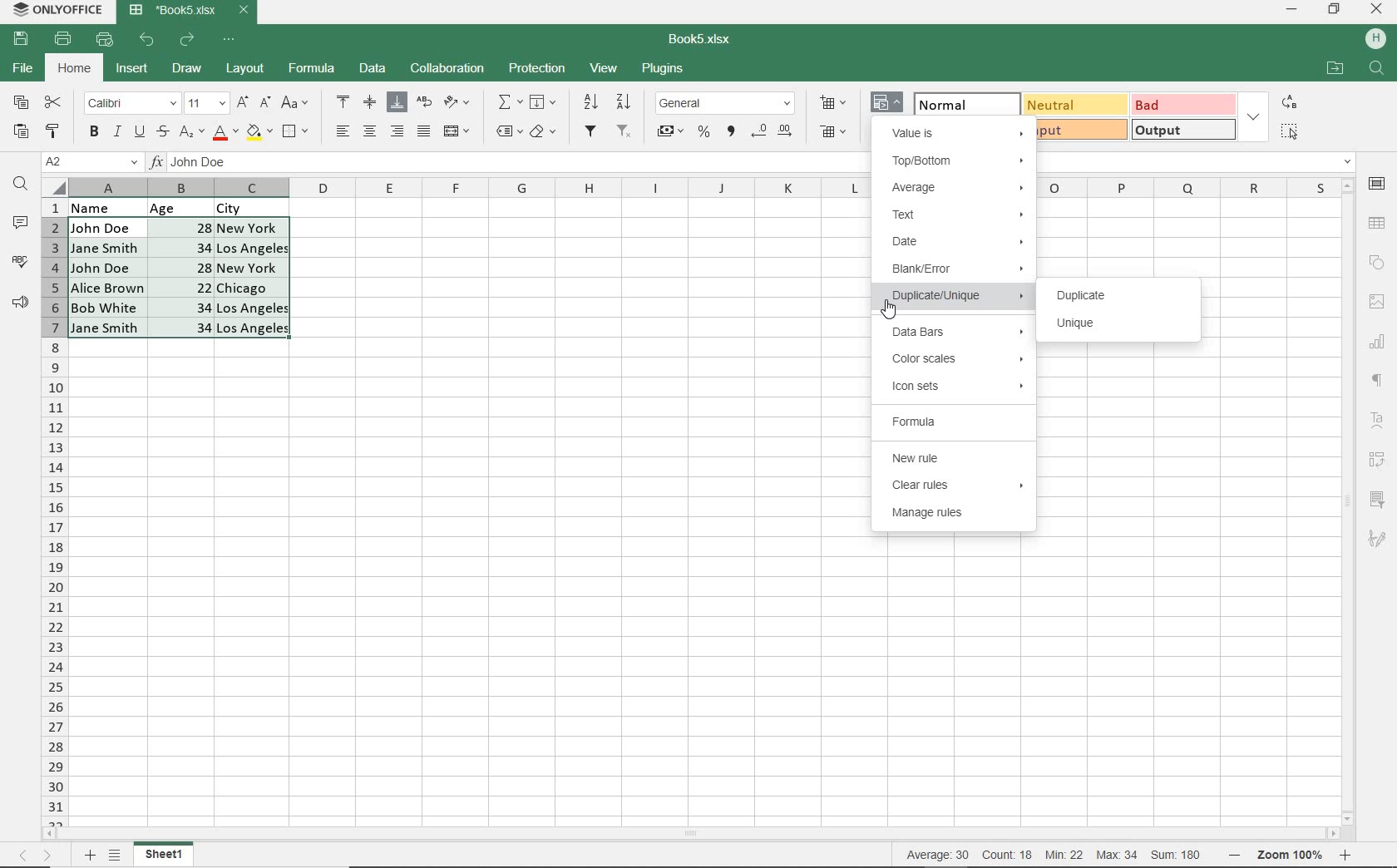 This screenshot has width=1397, height=868. What do you see at coordinates (510, 101) in the screenshot?
I see `INSERT FUNCTION` at bounding box center [510, 101].